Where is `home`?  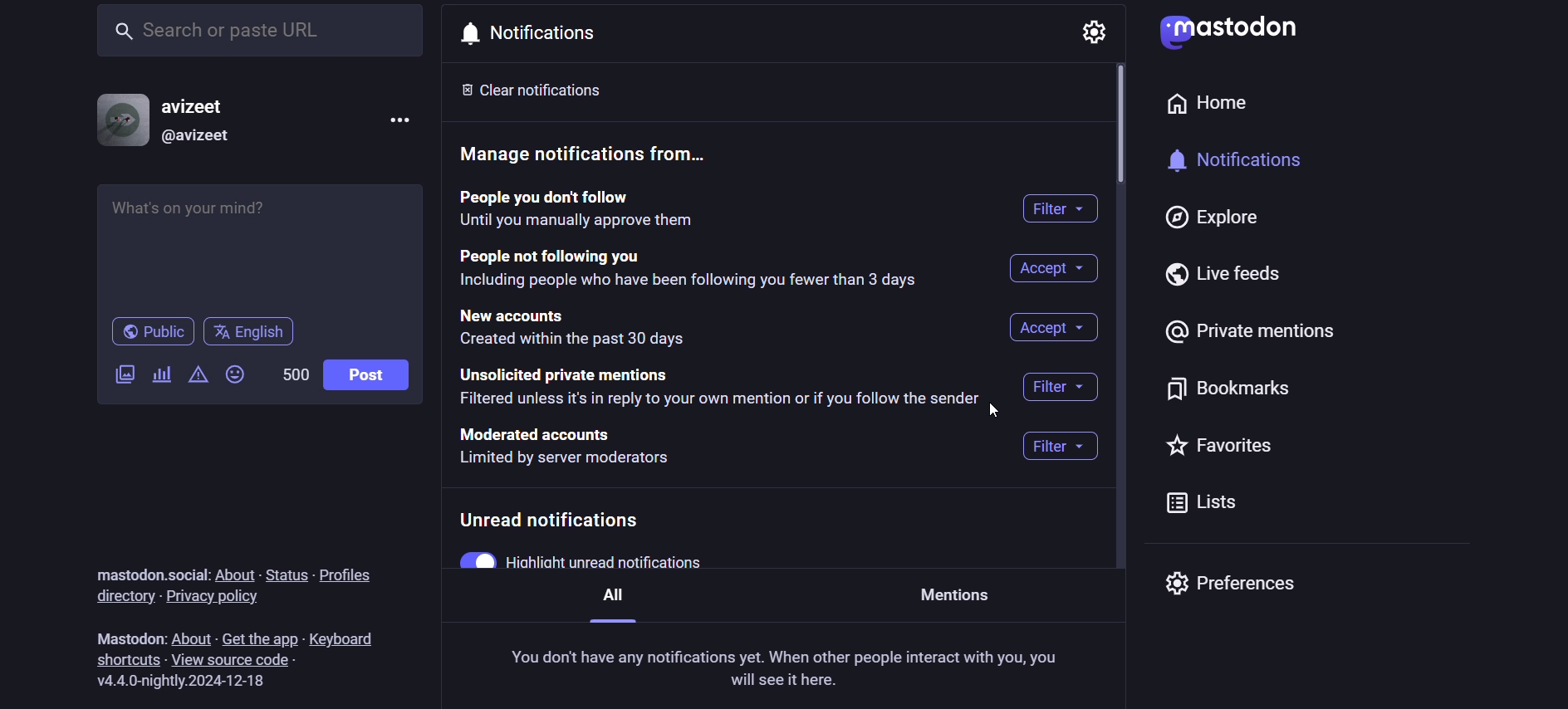 home is located at coordinates (1205, 109).